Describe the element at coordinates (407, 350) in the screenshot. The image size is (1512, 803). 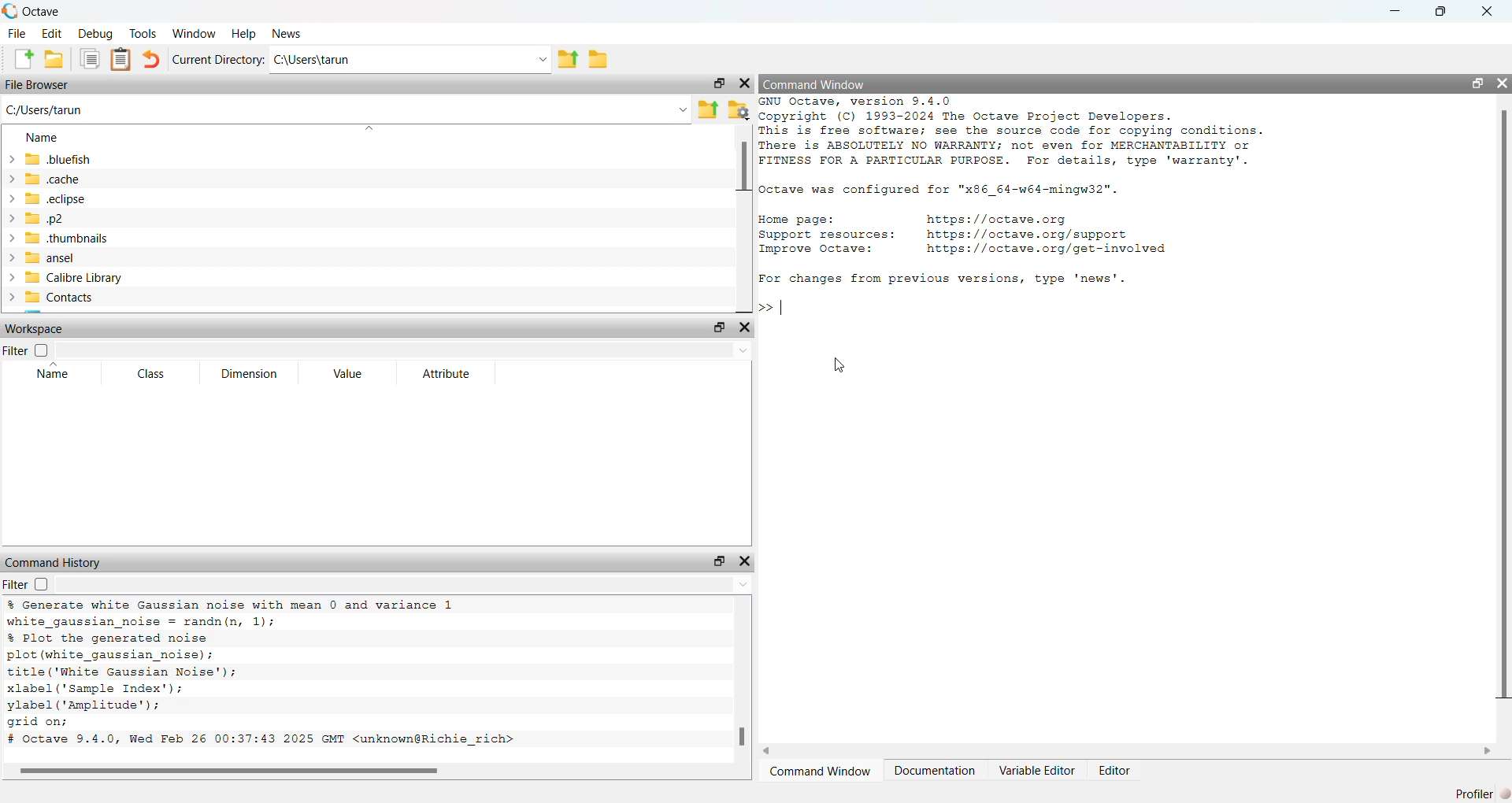
I see `dropdown` at that location.